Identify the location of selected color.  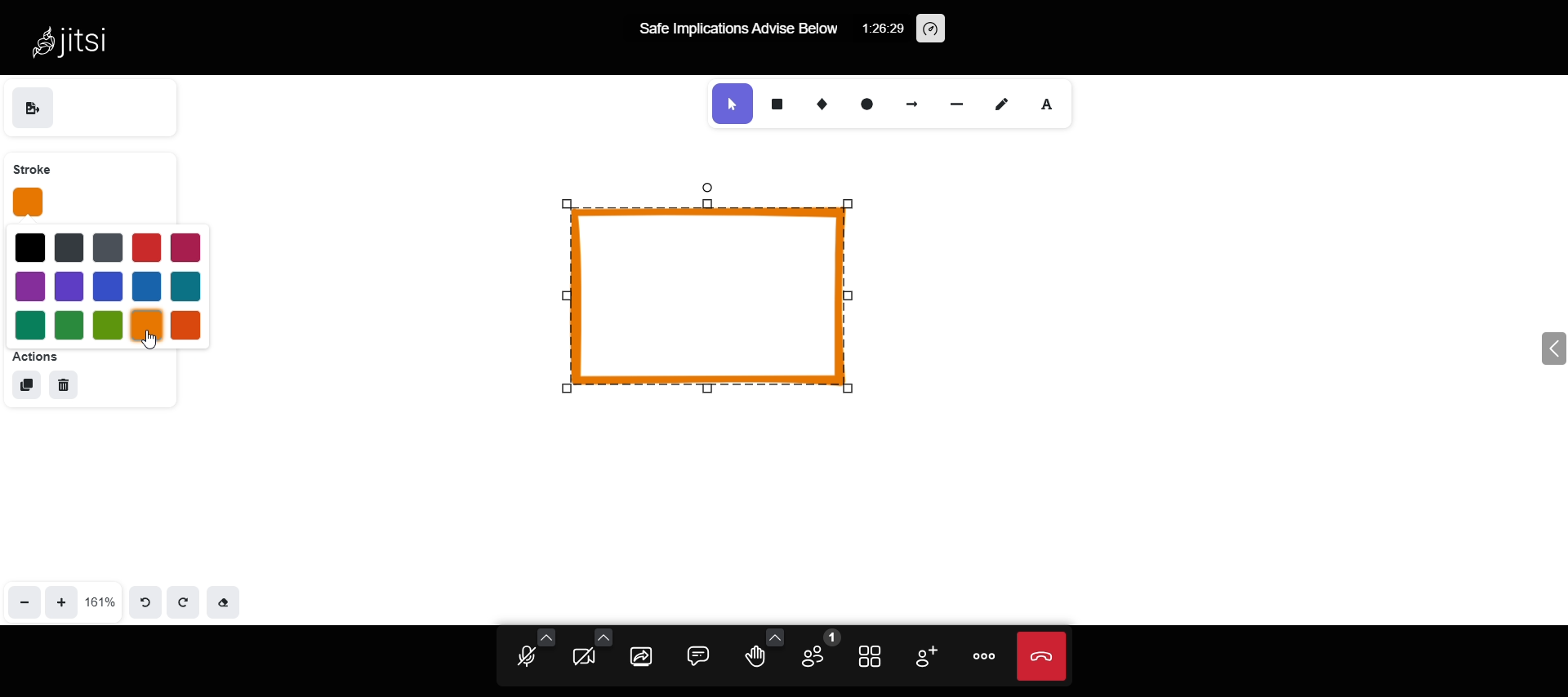
(149, 328).